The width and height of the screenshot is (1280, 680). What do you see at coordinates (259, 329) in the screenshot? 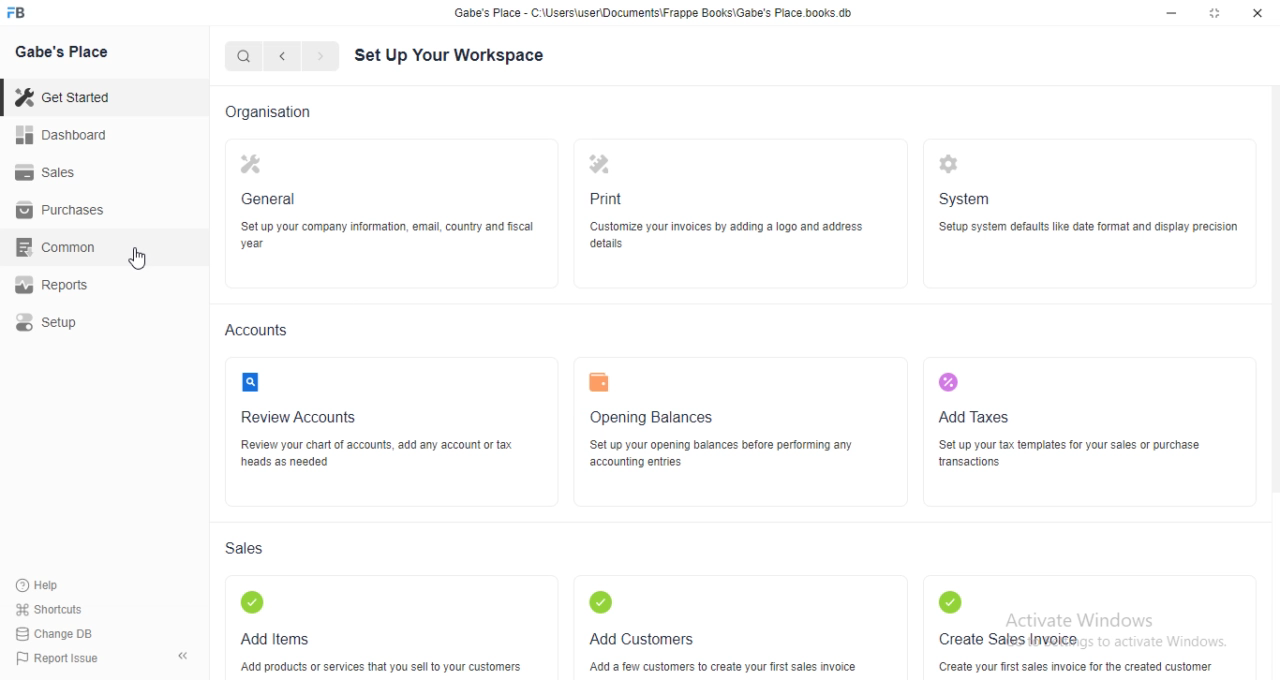
I see `Accounts` at bounding box center [259, 329].